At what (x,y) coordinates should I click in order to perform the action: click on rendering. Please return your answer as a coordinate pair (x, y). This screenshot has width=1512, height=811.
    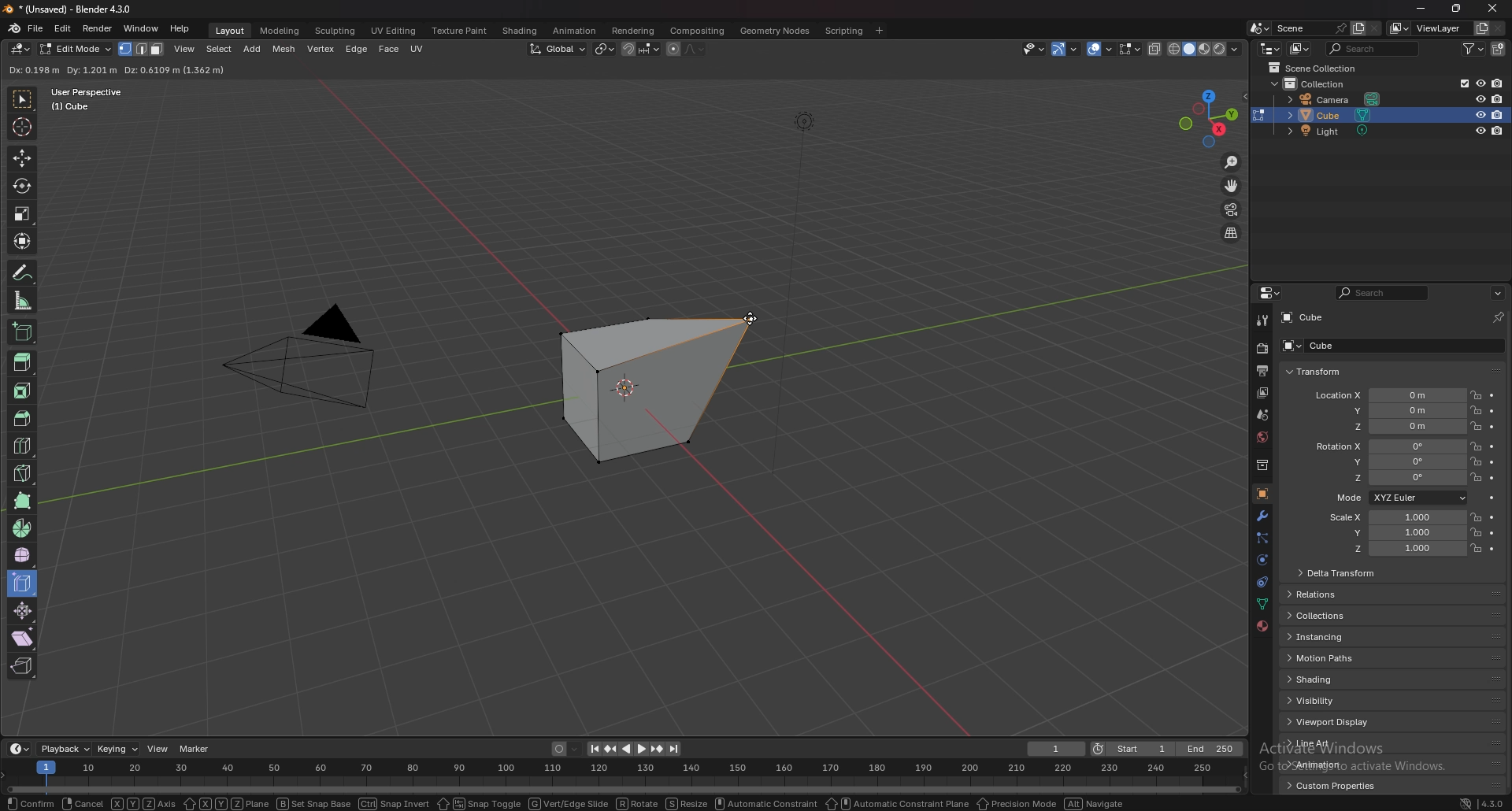
    Looking at the image, I should click on (634, 31).